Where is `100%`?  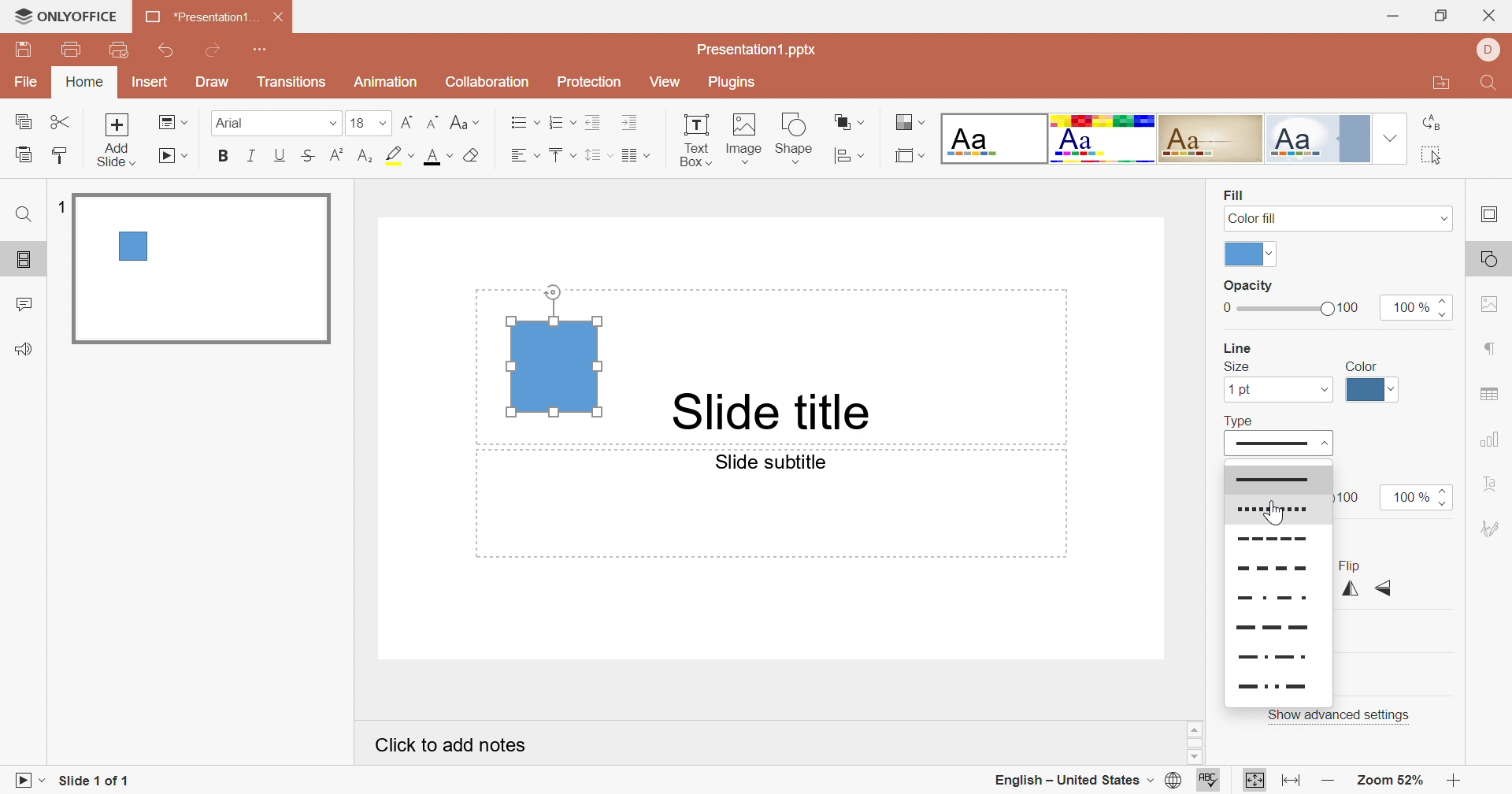
100% is located at coordinates (1406, 496).